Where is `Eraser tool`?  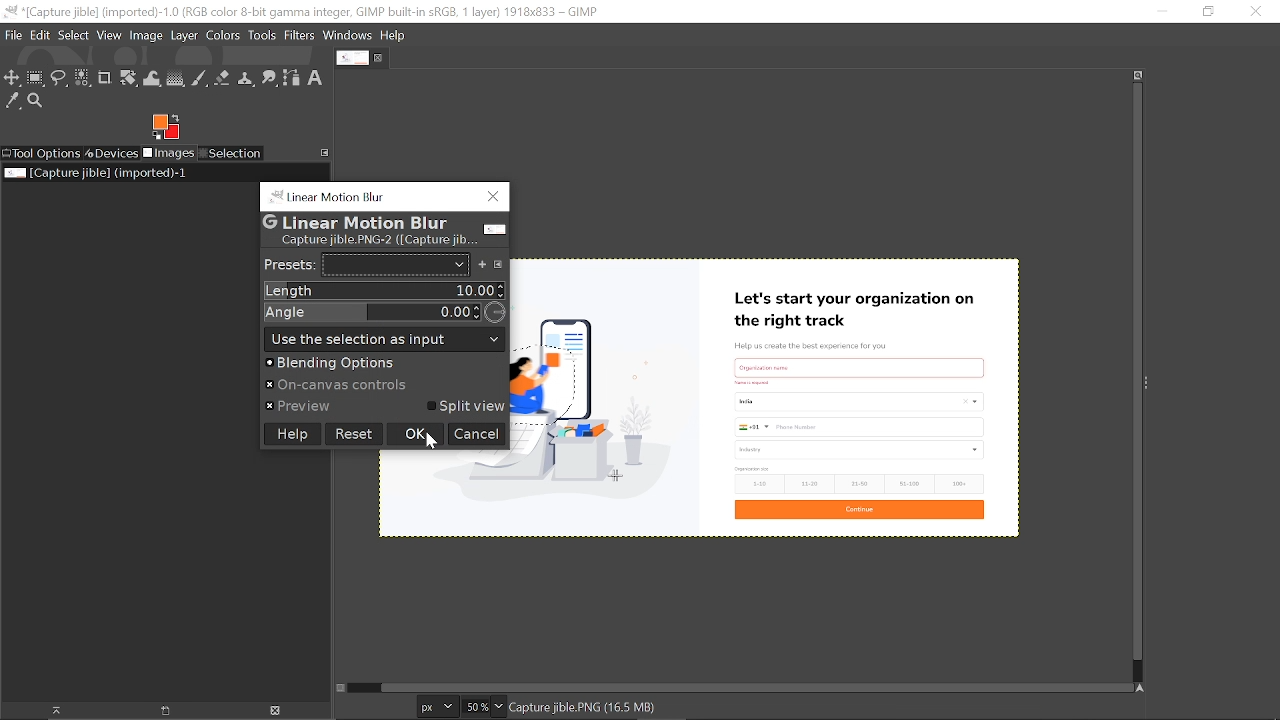
Eraser tool is located at coordinates (222, 78).